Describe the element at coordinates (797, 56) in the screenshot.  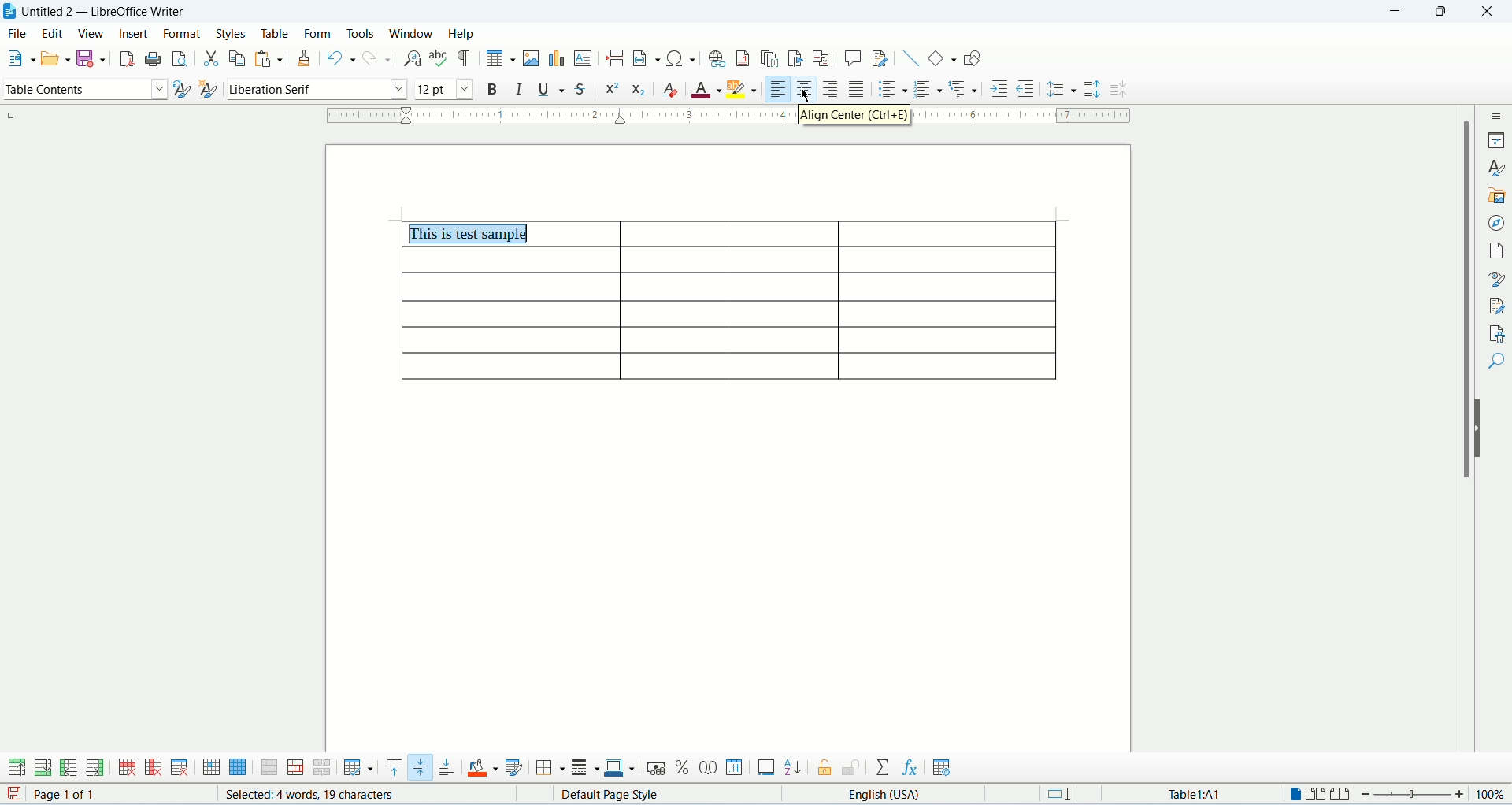
I see `insert bookmark` at that location.